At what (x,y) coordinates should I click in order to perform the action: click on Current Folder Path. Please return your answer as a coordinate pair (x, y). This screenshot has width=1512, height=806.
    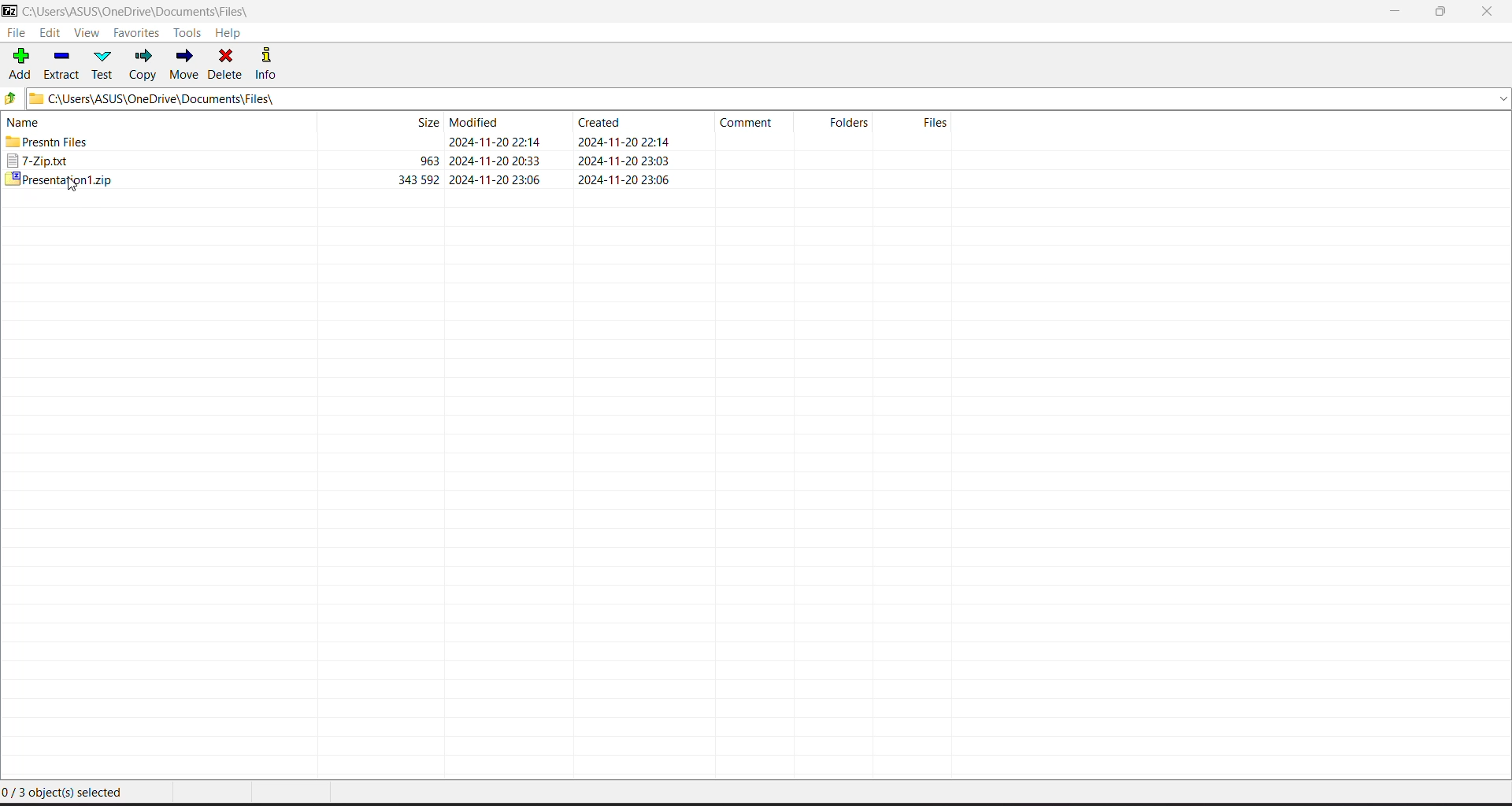
    Looking at the image, I should click on (769, 98).